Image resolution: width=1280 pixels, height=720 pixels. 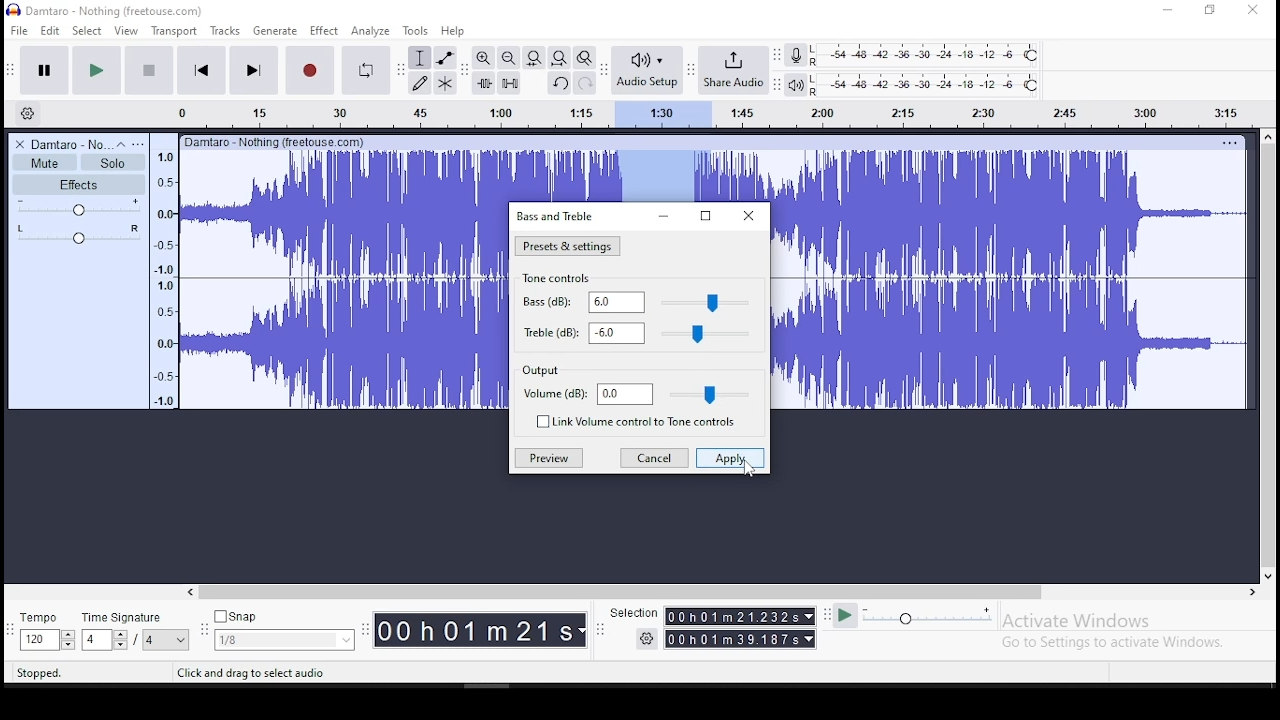 I want to click on Settings, so click(x=648, y=638).